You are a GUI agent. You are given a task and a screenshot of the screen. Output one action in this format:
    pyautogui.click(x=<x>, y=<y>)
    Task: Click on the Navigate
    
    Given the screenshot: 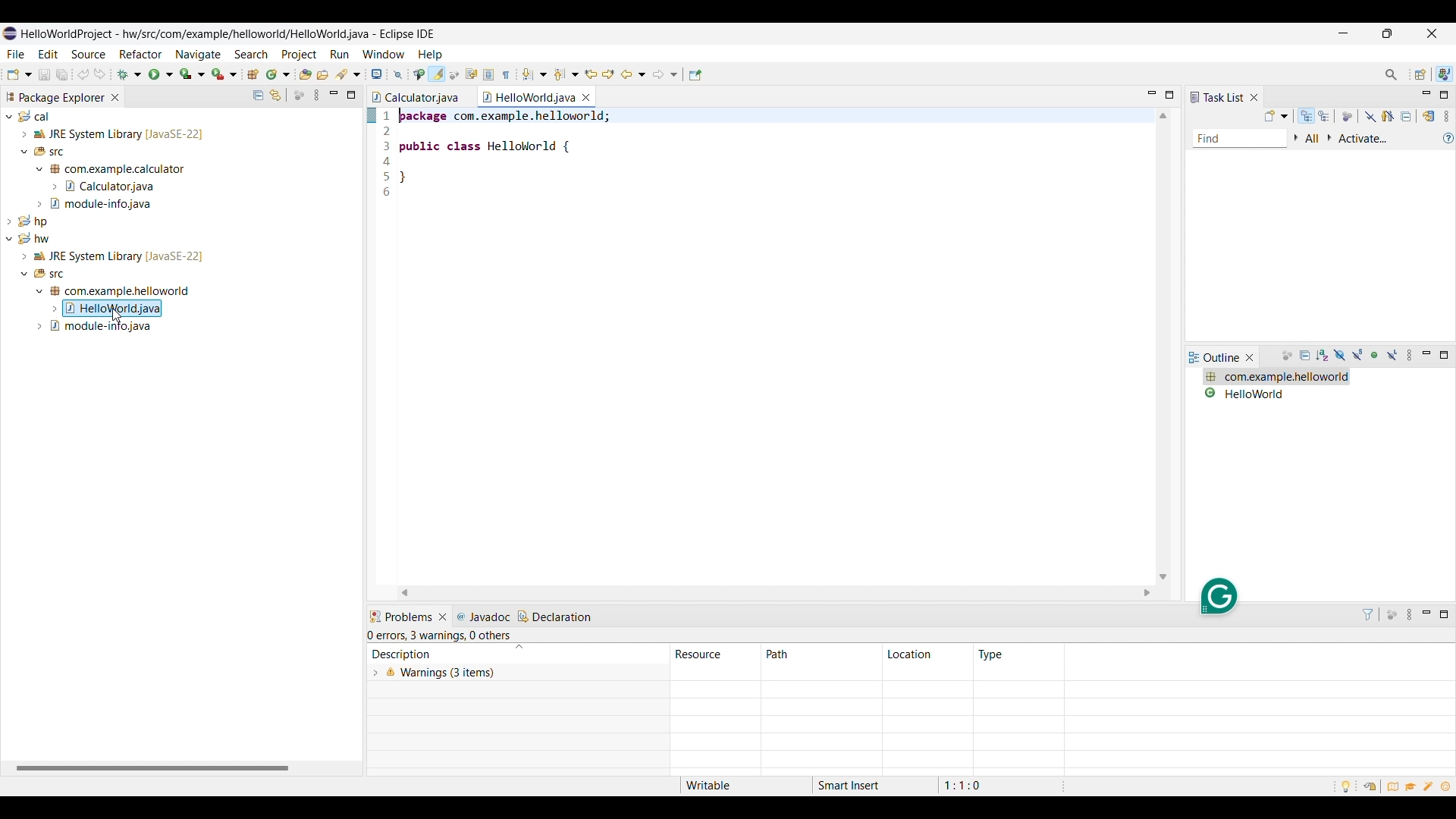 What is the action you would take?
    pyautogui.click(x=199, y=55)
    